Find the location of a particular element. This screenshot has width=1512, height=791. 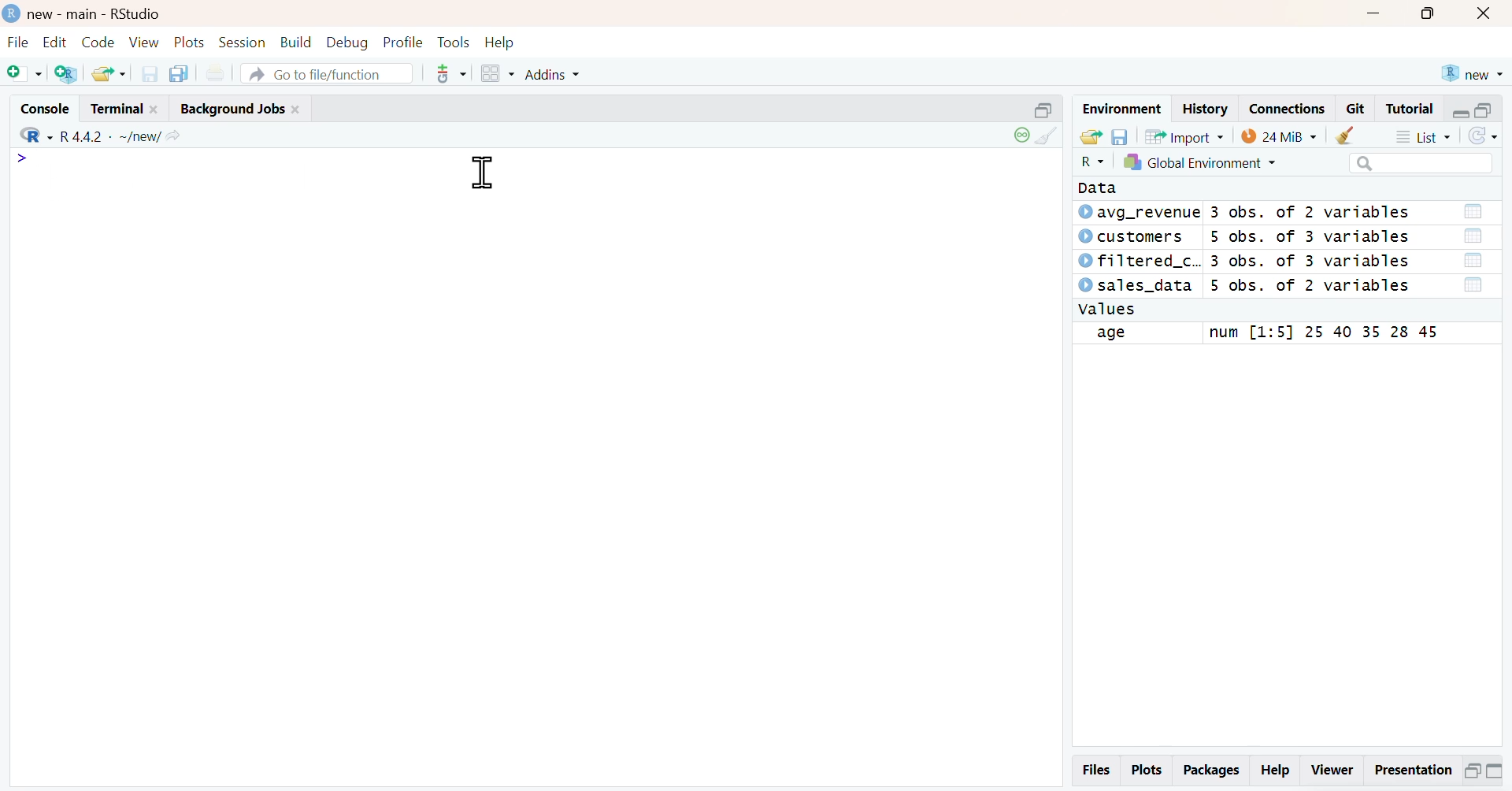

List is located at coordinates (1421, 136).